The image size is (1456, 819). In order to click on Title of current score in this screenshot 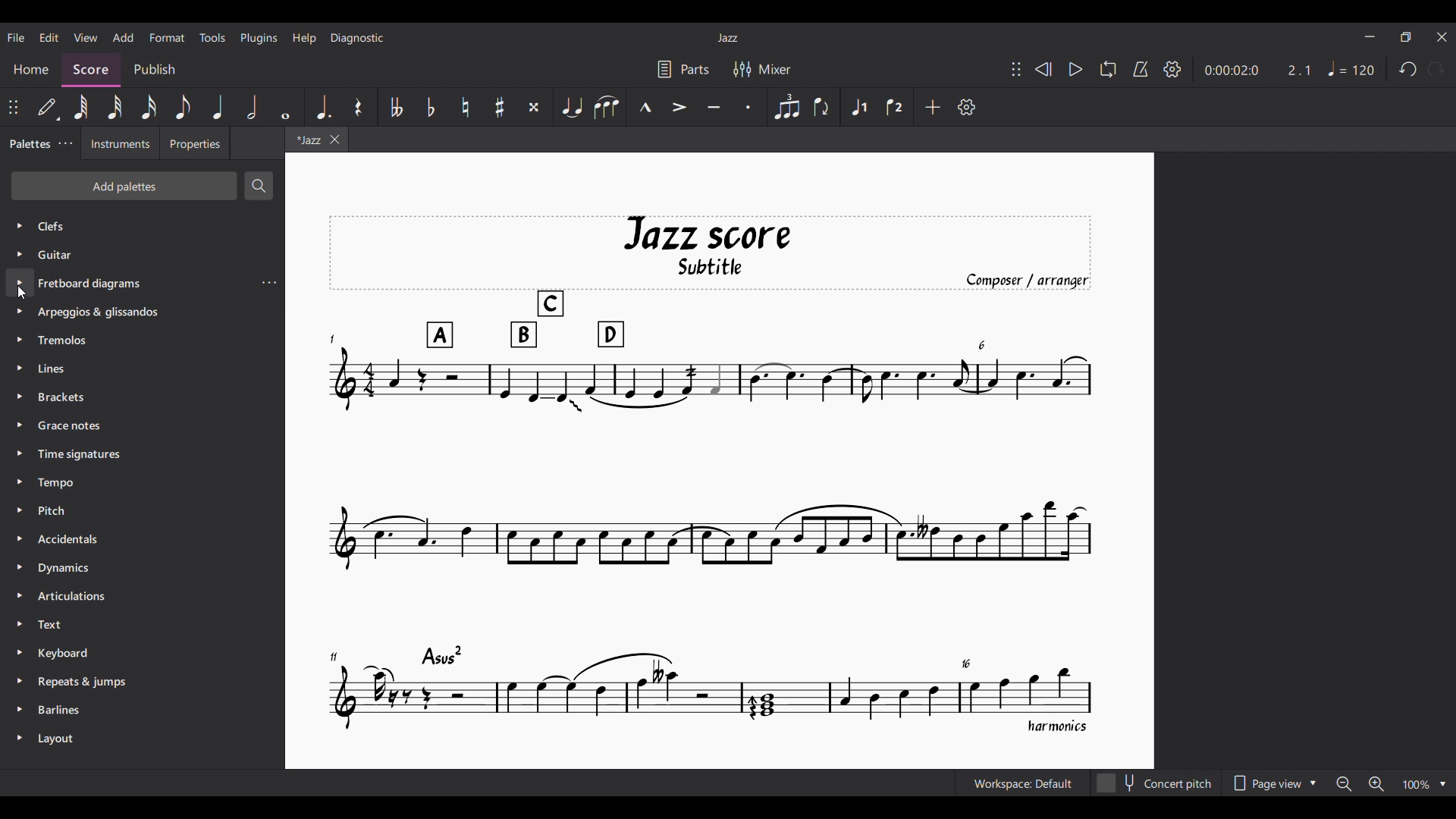, I will do `click(727, 38)`.